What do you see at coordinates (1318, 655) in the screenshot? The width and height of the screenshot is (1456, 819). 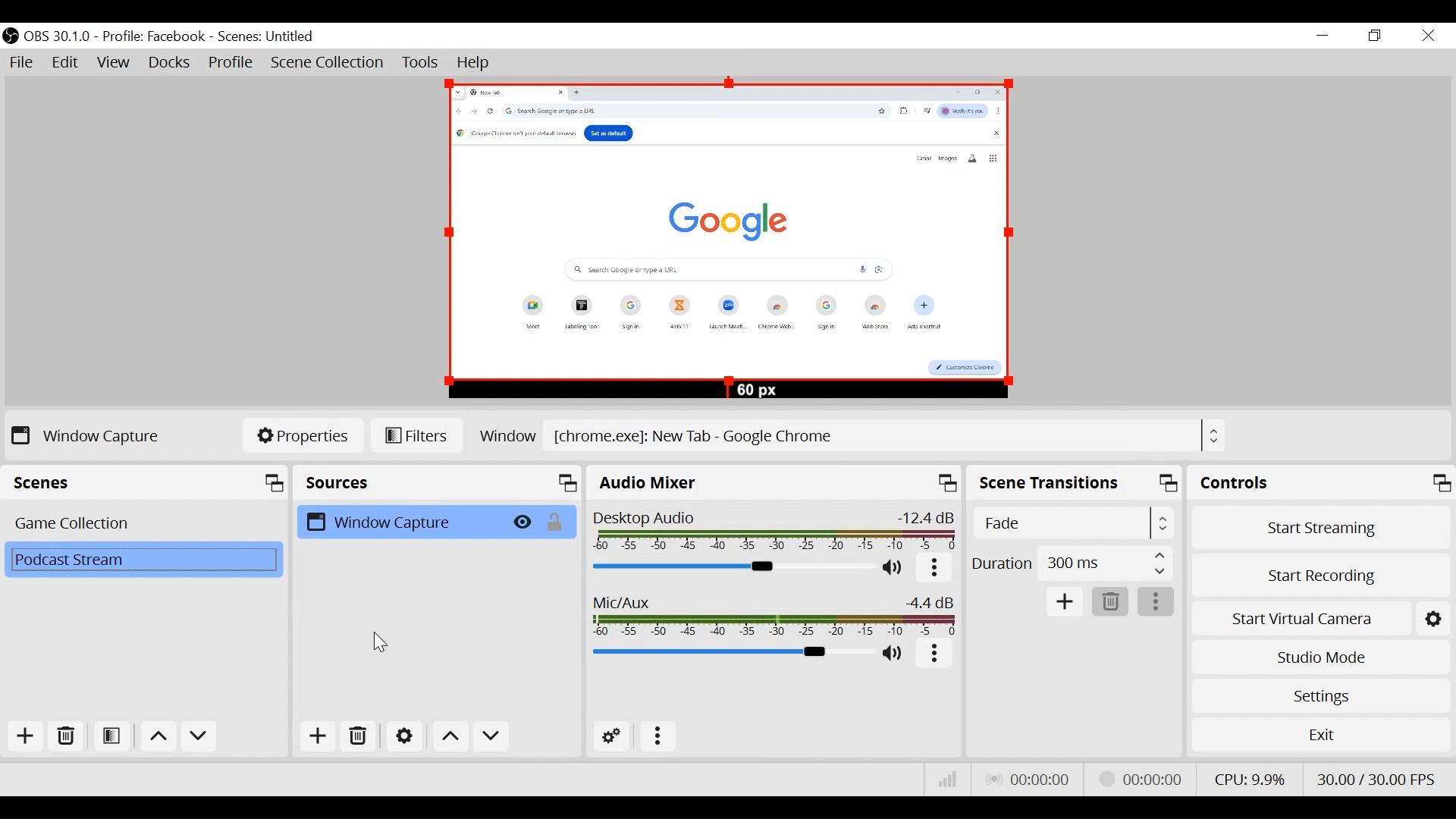 I see `Studio Mode` at bounding box center [1318, 655].